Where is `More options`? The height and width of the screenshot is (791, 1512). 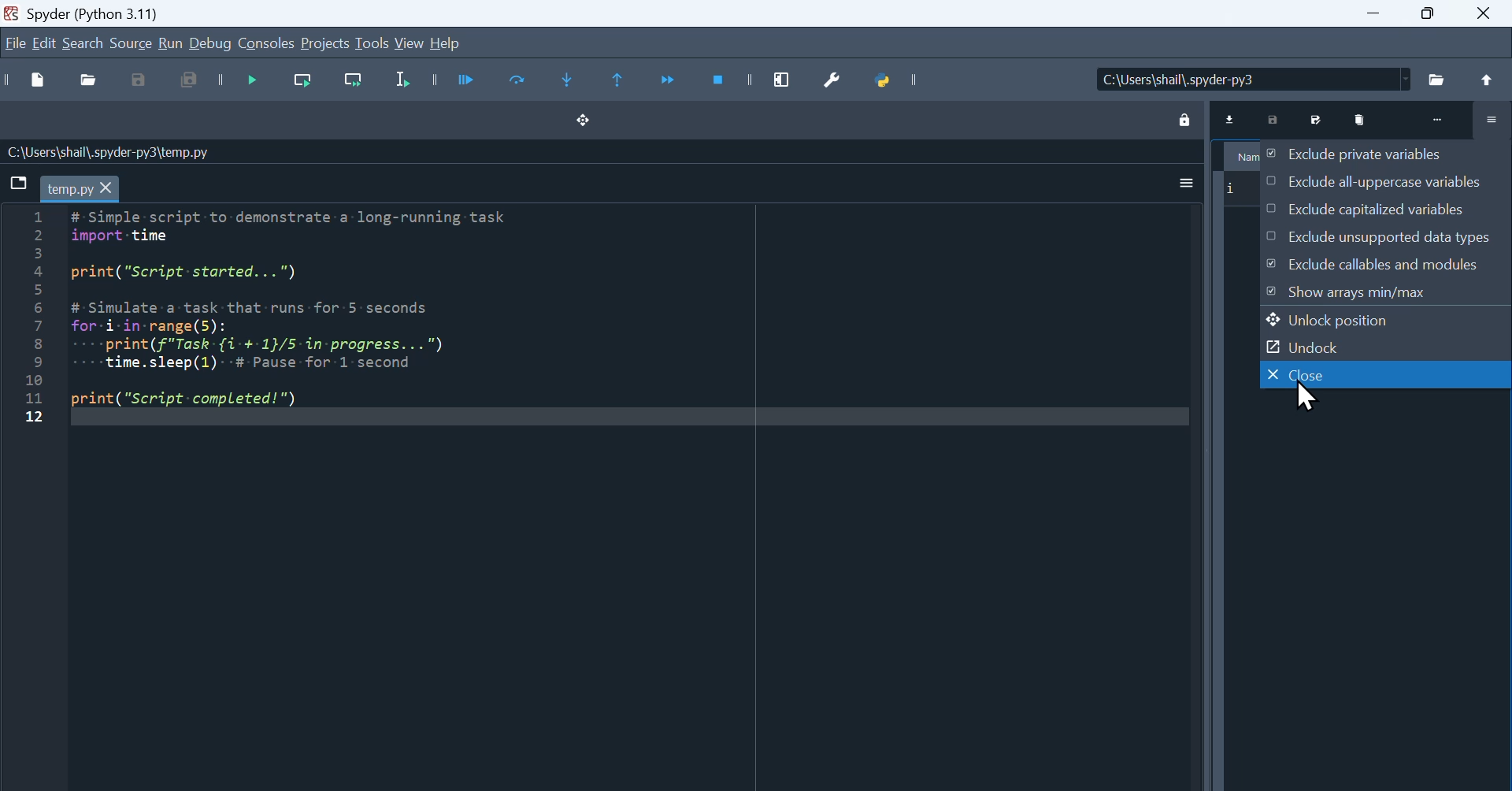 More options is located at coordinates (1186, 184).